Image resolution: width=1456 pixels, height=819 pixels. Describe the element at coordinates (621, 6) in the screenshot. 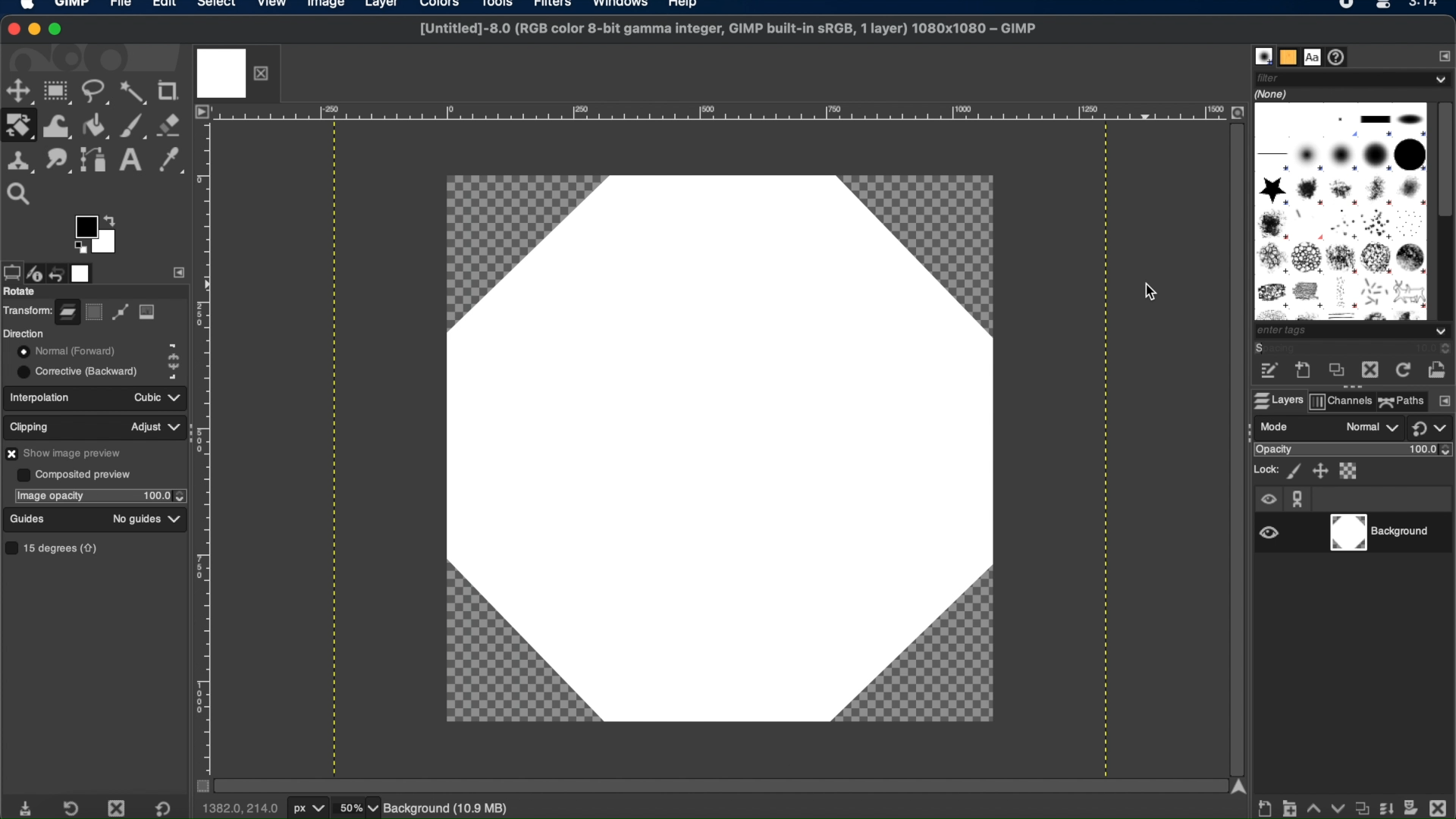

I see `windows` at that location.